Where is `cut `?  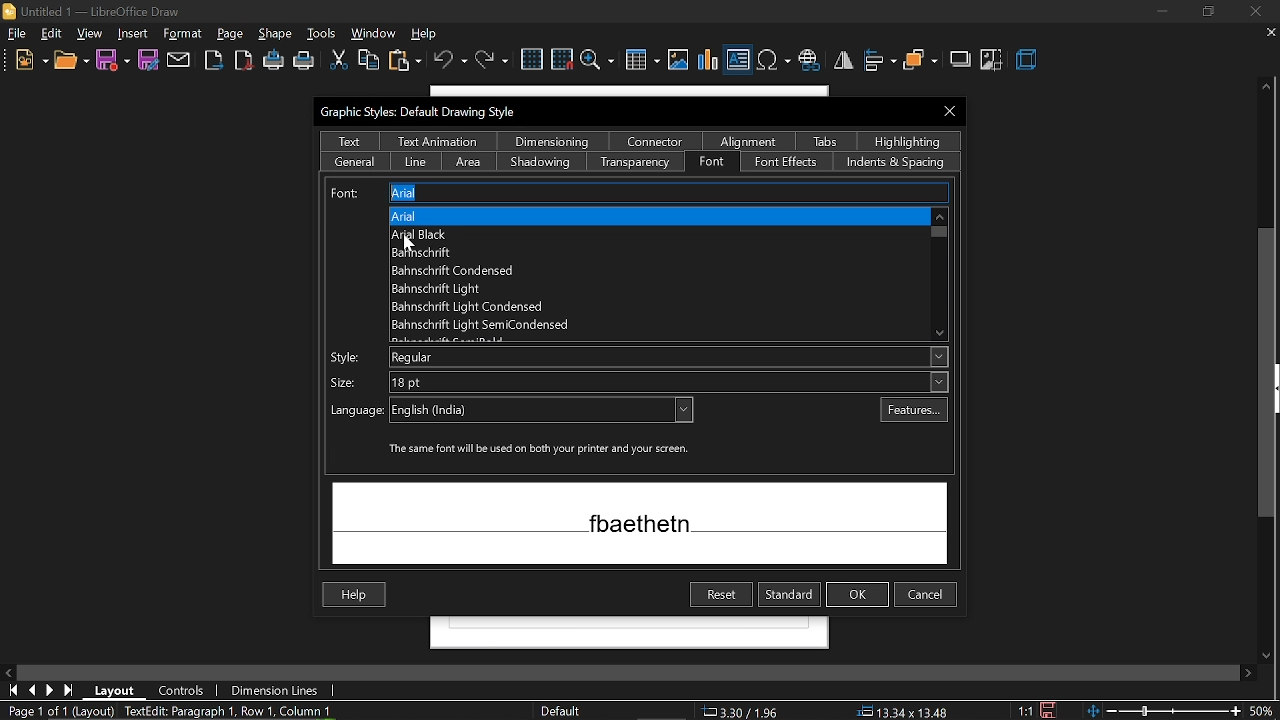 cut  is located at coordinates (338, 62).